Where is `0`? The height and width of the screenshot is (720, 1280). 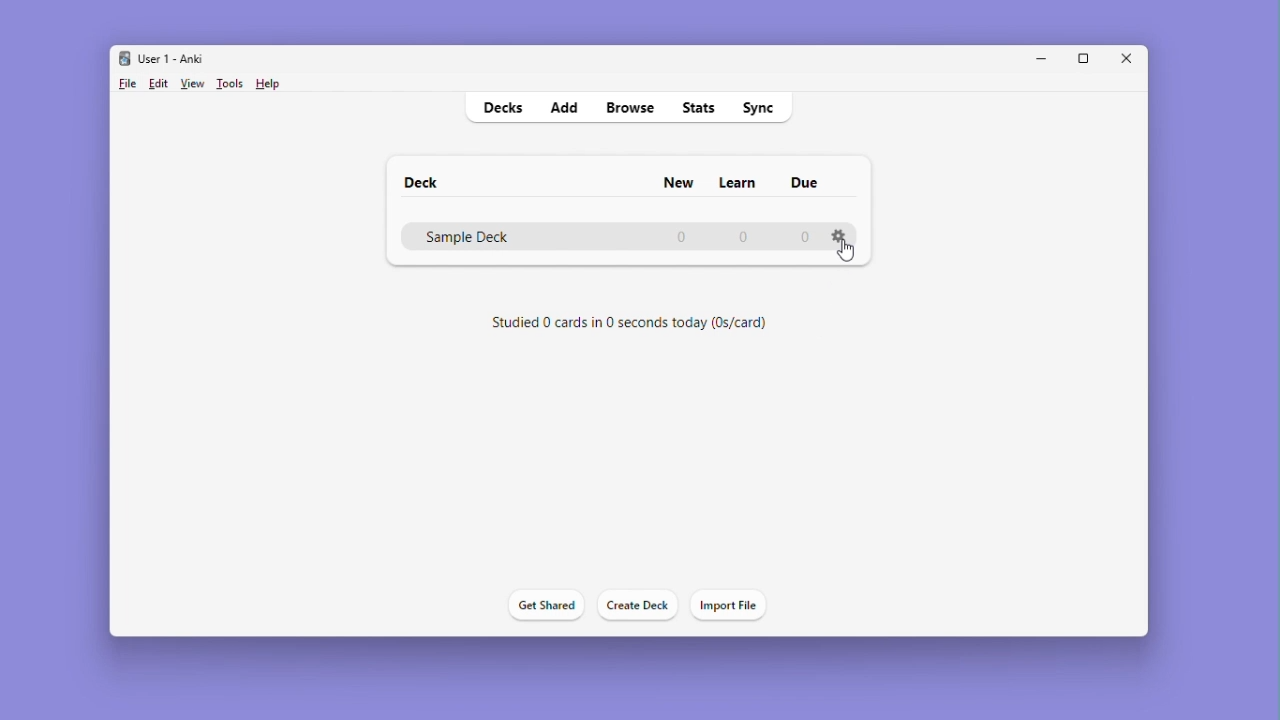 0 is located at coordinates (806, 236).